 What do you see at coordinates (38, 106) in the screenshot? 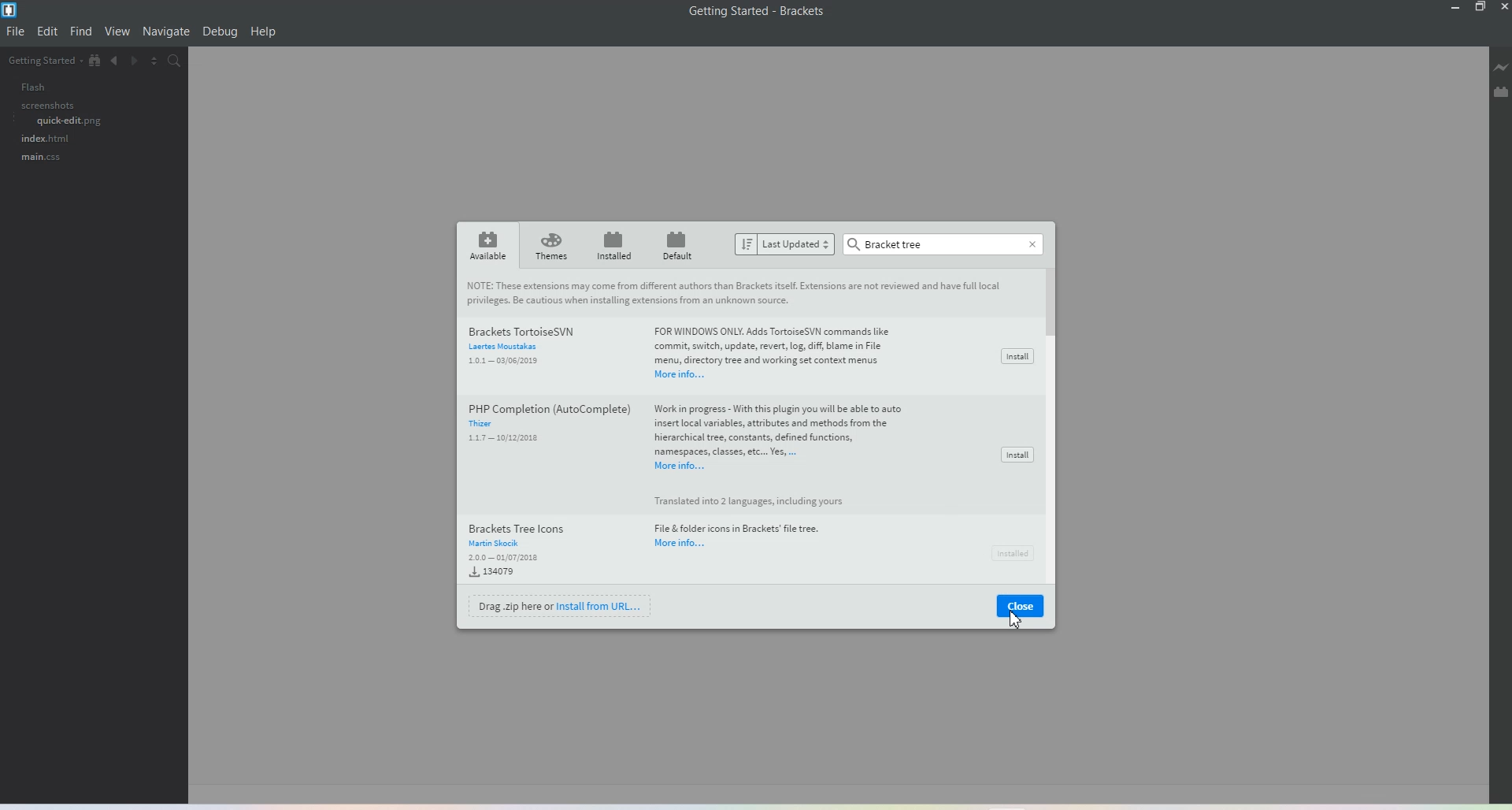
I see `screenshots` at bounding box center [38, 106].